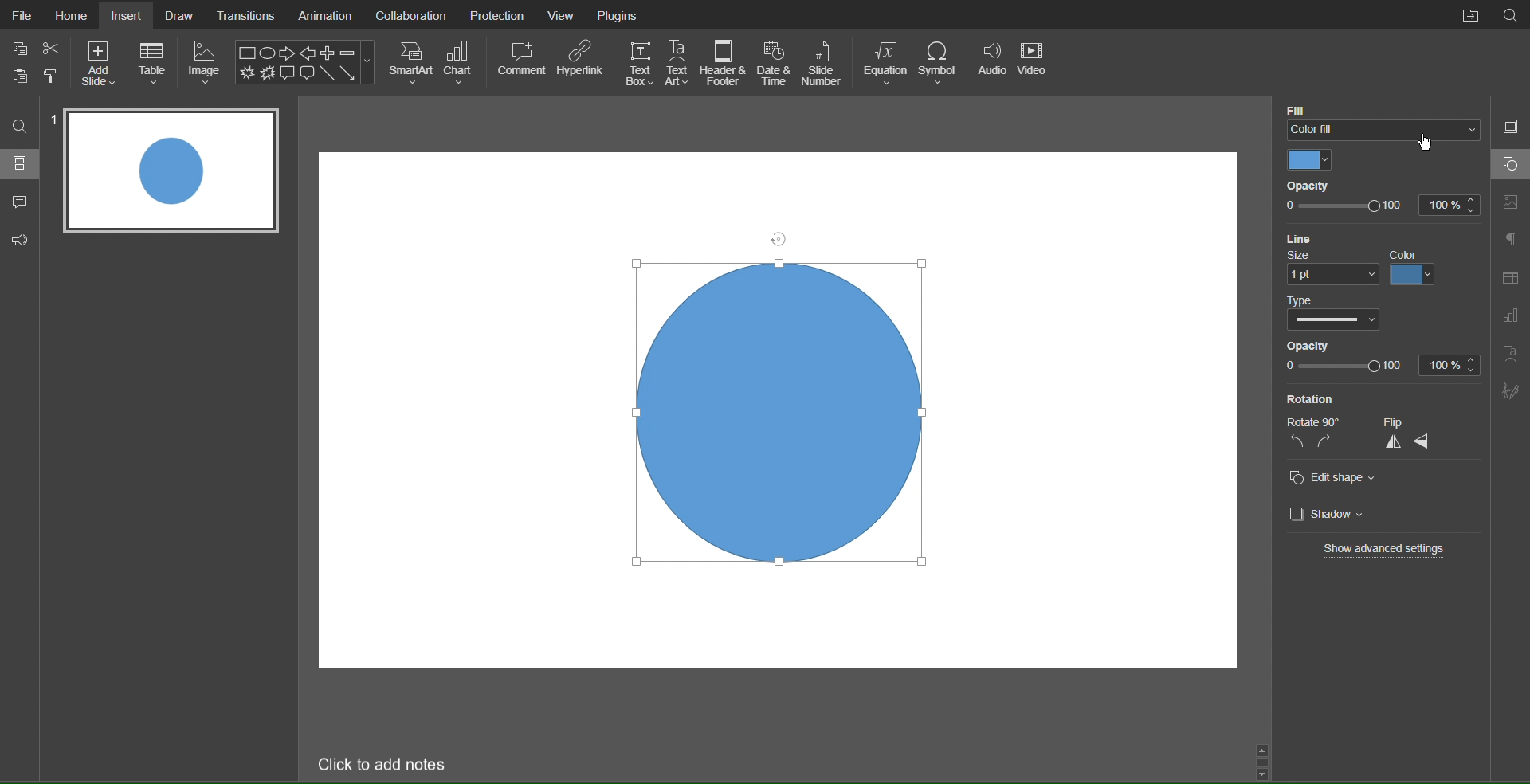  I want to click on 1 pt, so click(1332, 276).